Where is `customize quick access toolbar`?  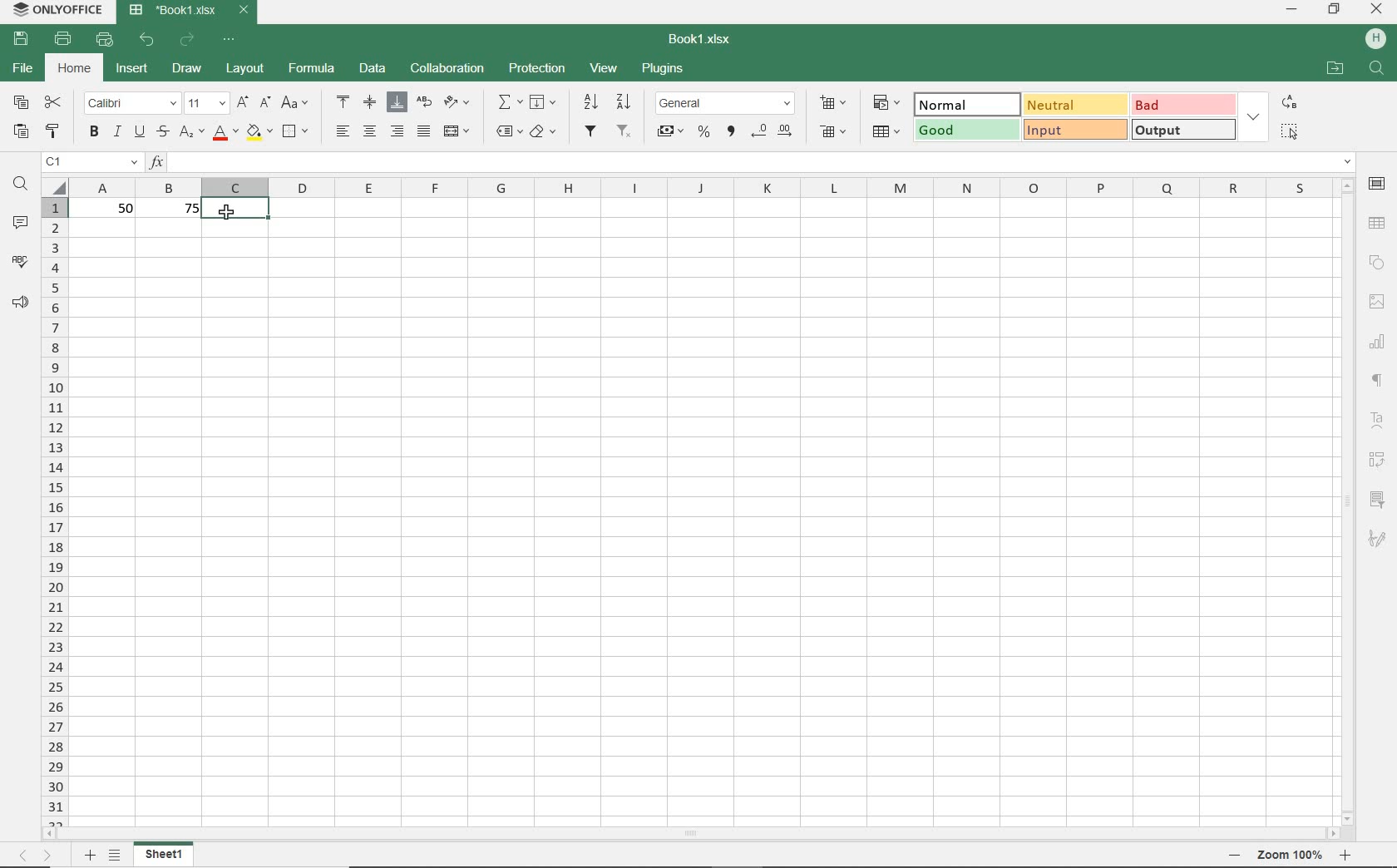
customize quick access toolbar is located at coordinates (231, 42).